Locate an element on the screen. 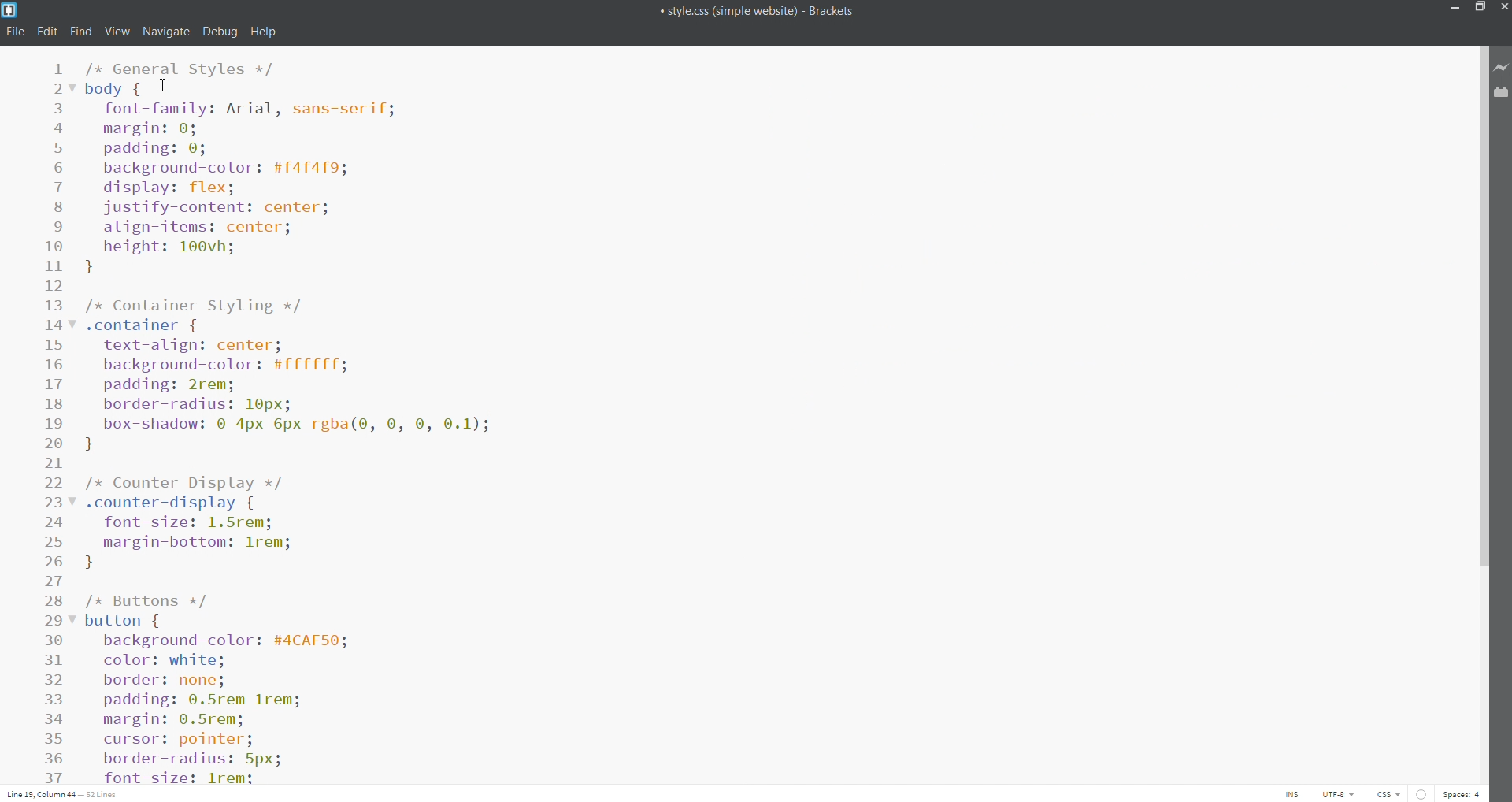  file type is located at coordinates (1384, 793).